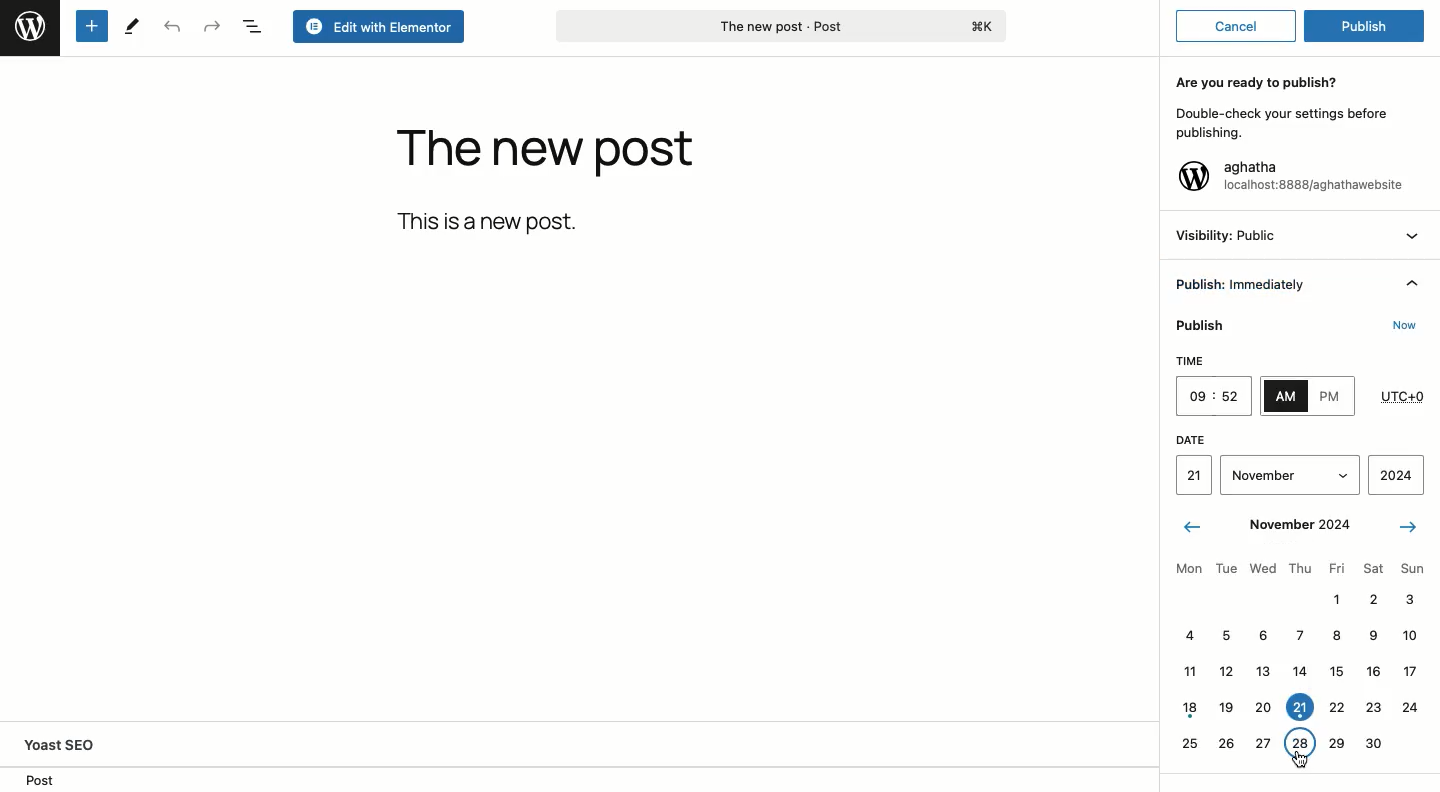 The width and height of the screenshot is (1440, 792). Describe the element at coordinates (1193, 176) in the screenshot. I see `Wordpress logo` at that location.